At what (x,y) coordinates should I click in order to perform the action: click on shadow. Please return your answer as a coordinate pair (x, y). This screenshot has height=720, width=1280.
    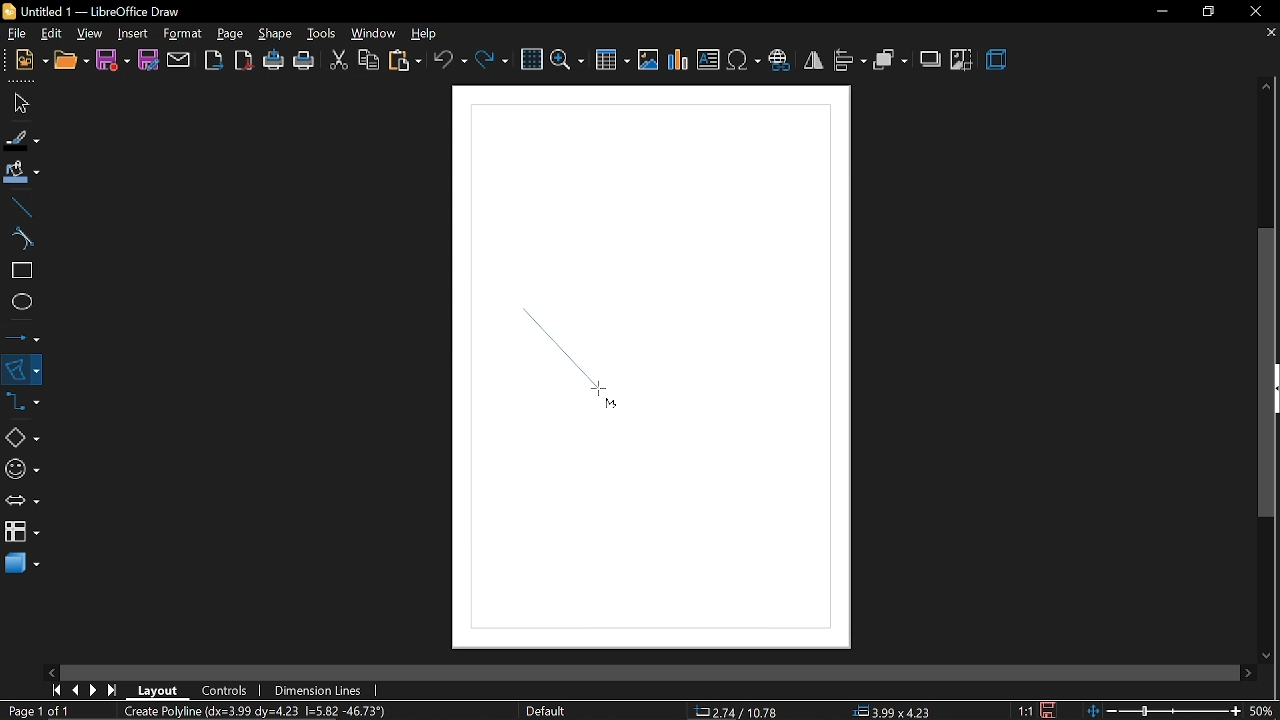
    Looking at the image, I should click on (932, 58).